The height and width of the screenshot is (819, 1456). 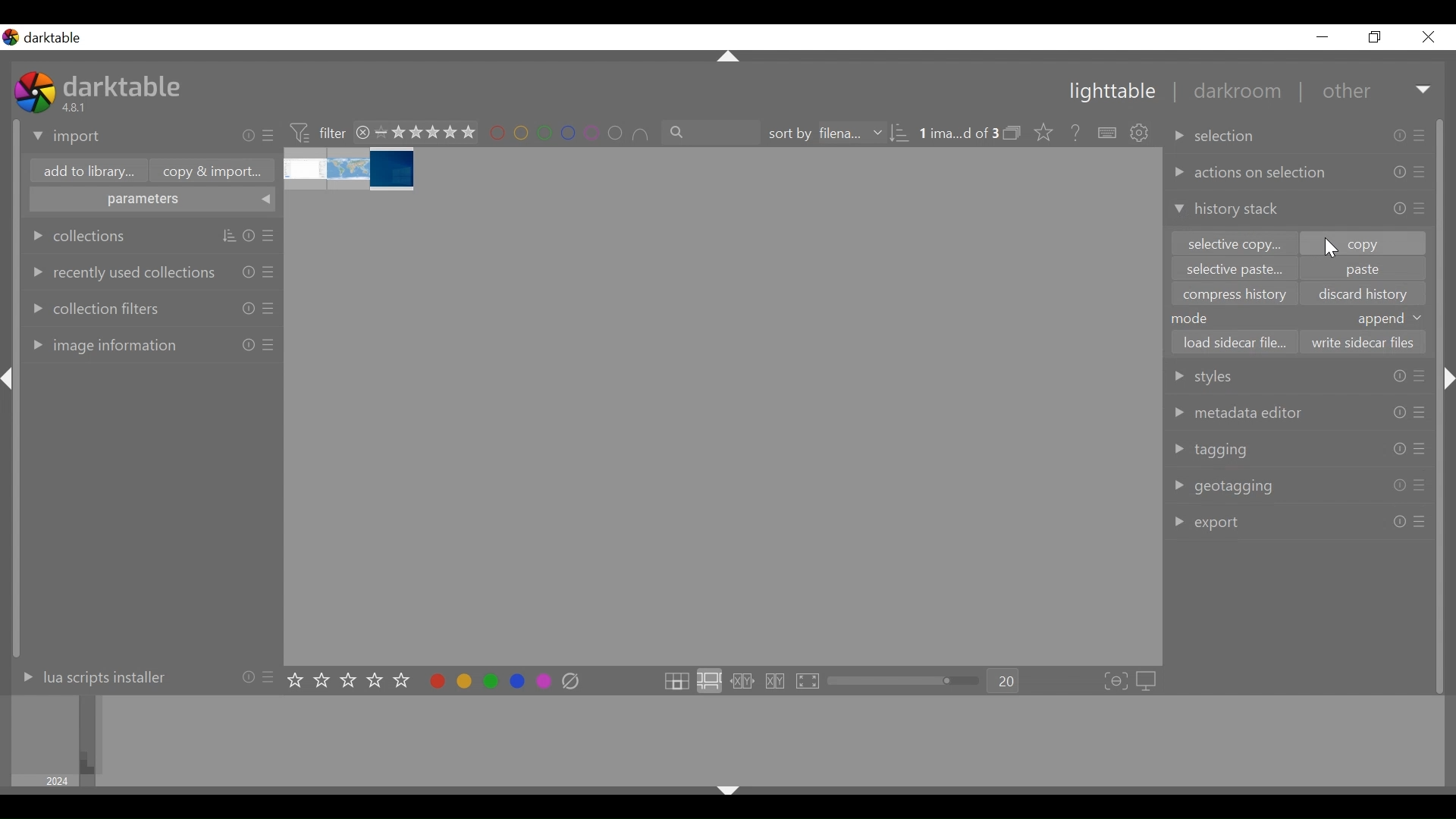 I want to click on click to enter zoomable lighttable layout, so click(x=708, y=682).